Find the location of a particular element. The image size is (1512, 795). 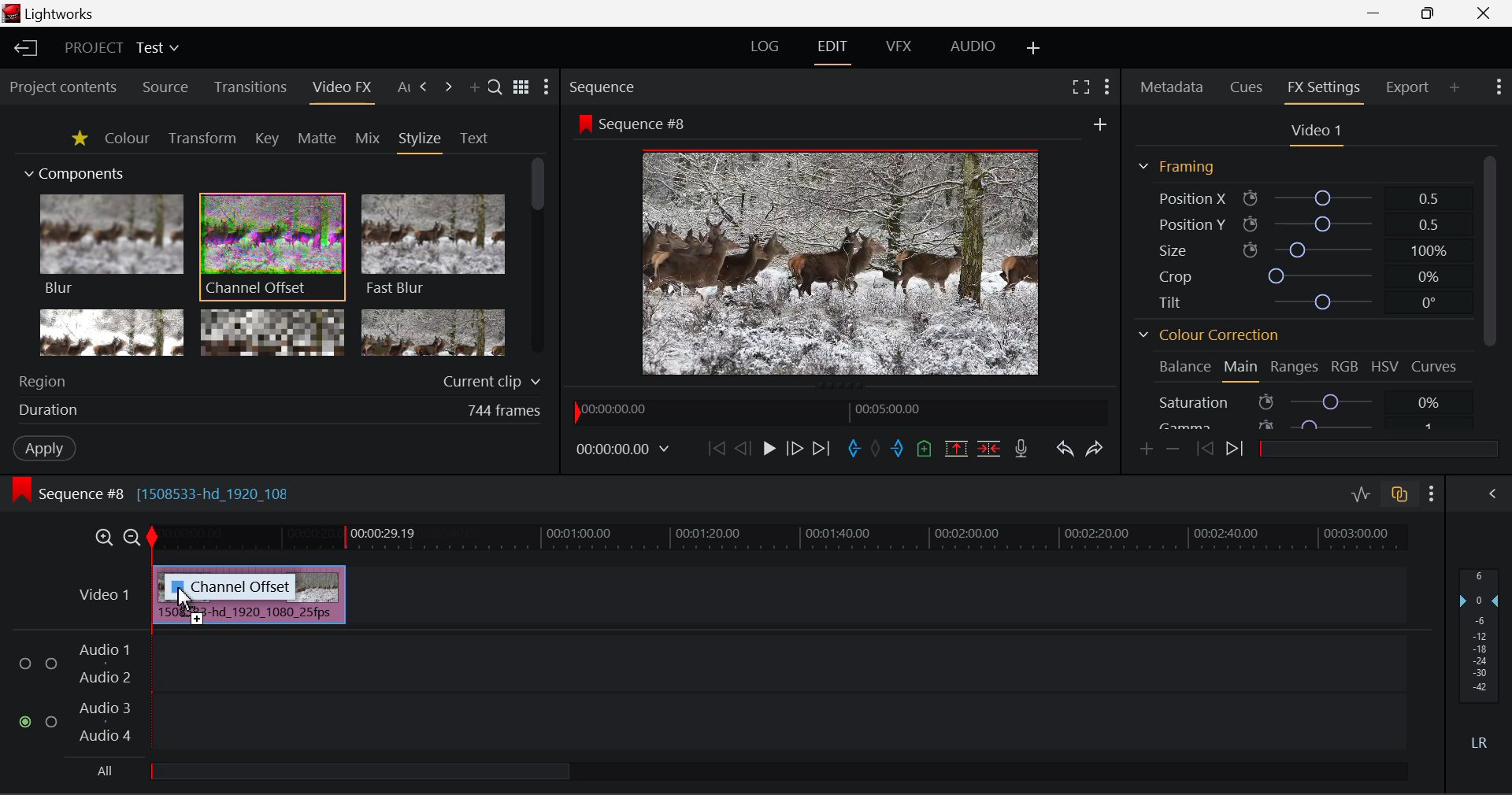

Stylize Tab Open is located at coordinates (419, 142).